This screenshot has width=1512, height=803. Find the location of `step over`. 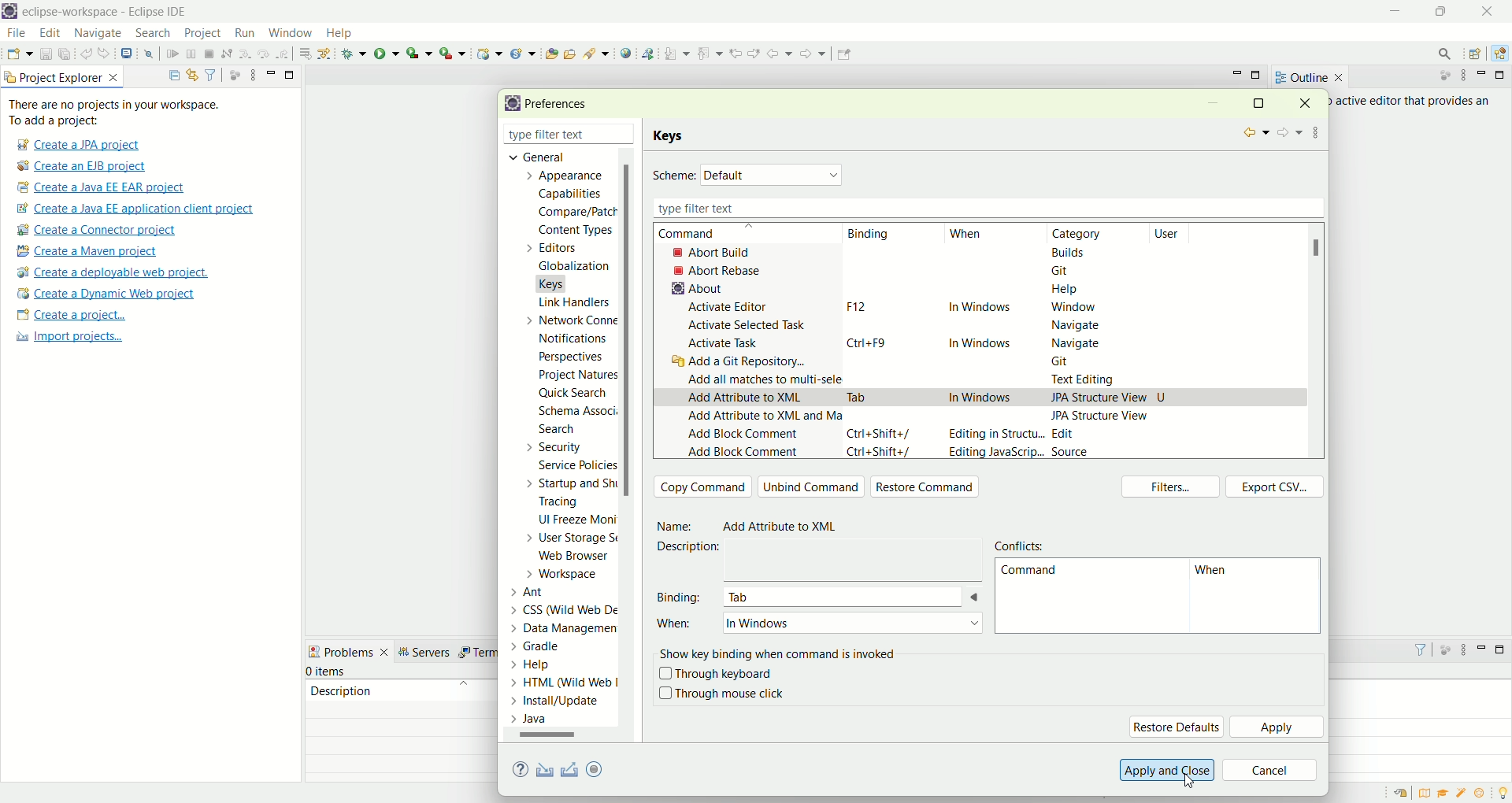

step over is located at coordinates (264, 53).